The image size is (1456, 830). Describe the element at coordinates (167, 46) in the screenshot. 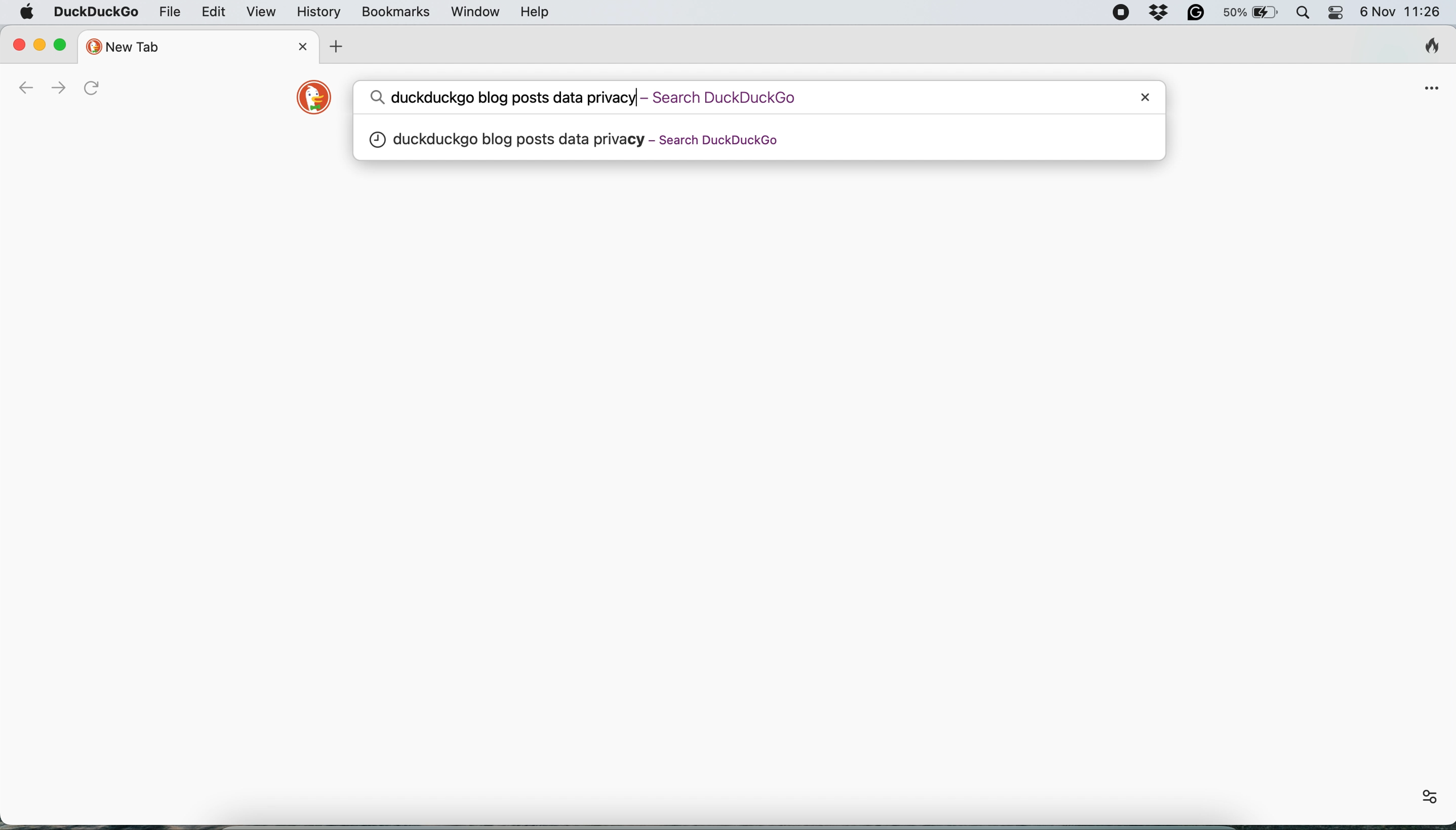

I see `new tab` at that location.